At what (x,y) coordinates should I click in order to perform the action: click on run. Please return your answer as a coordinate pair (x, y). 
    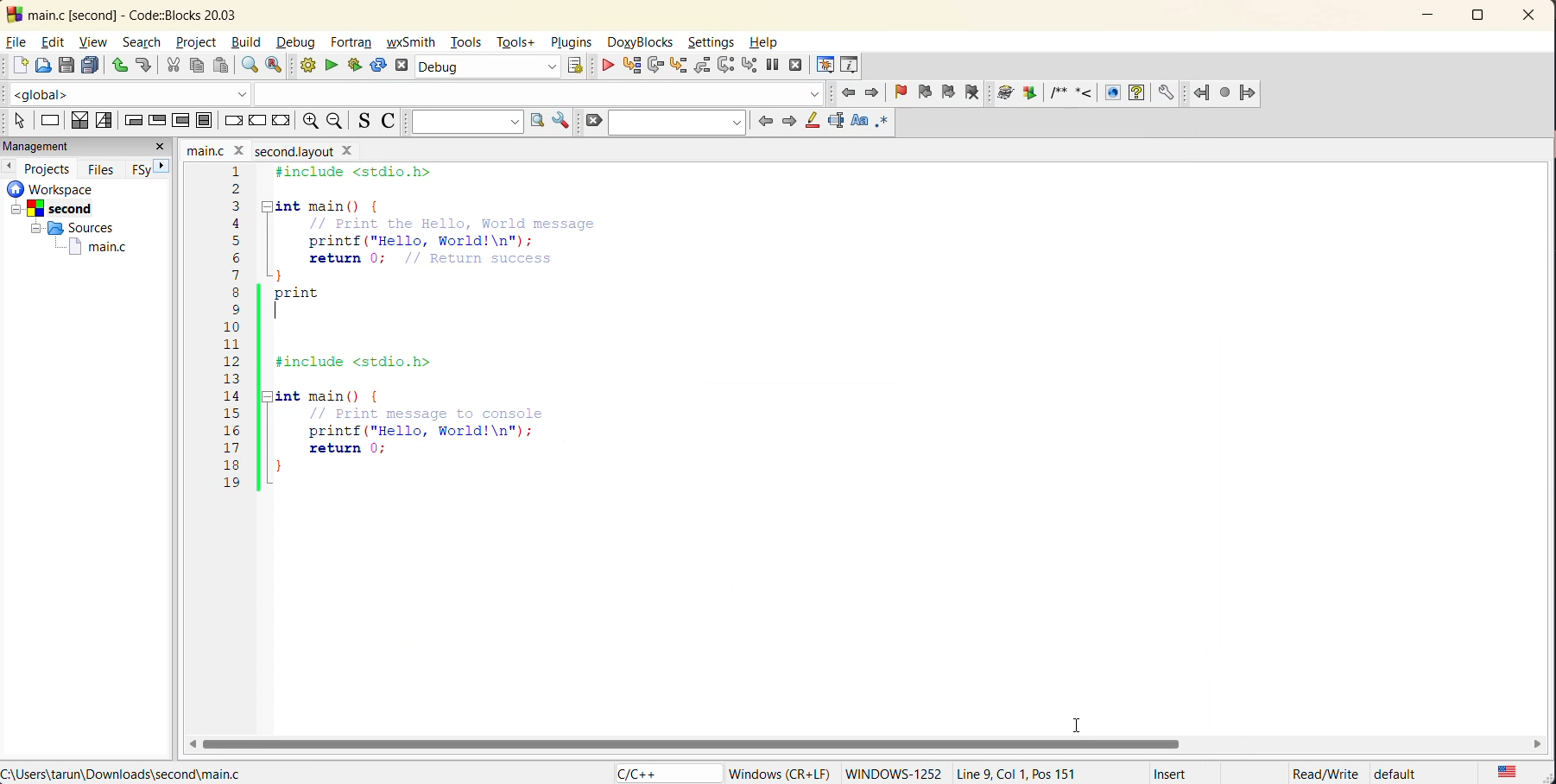
    Looking at the image, I should click on (331, 65).